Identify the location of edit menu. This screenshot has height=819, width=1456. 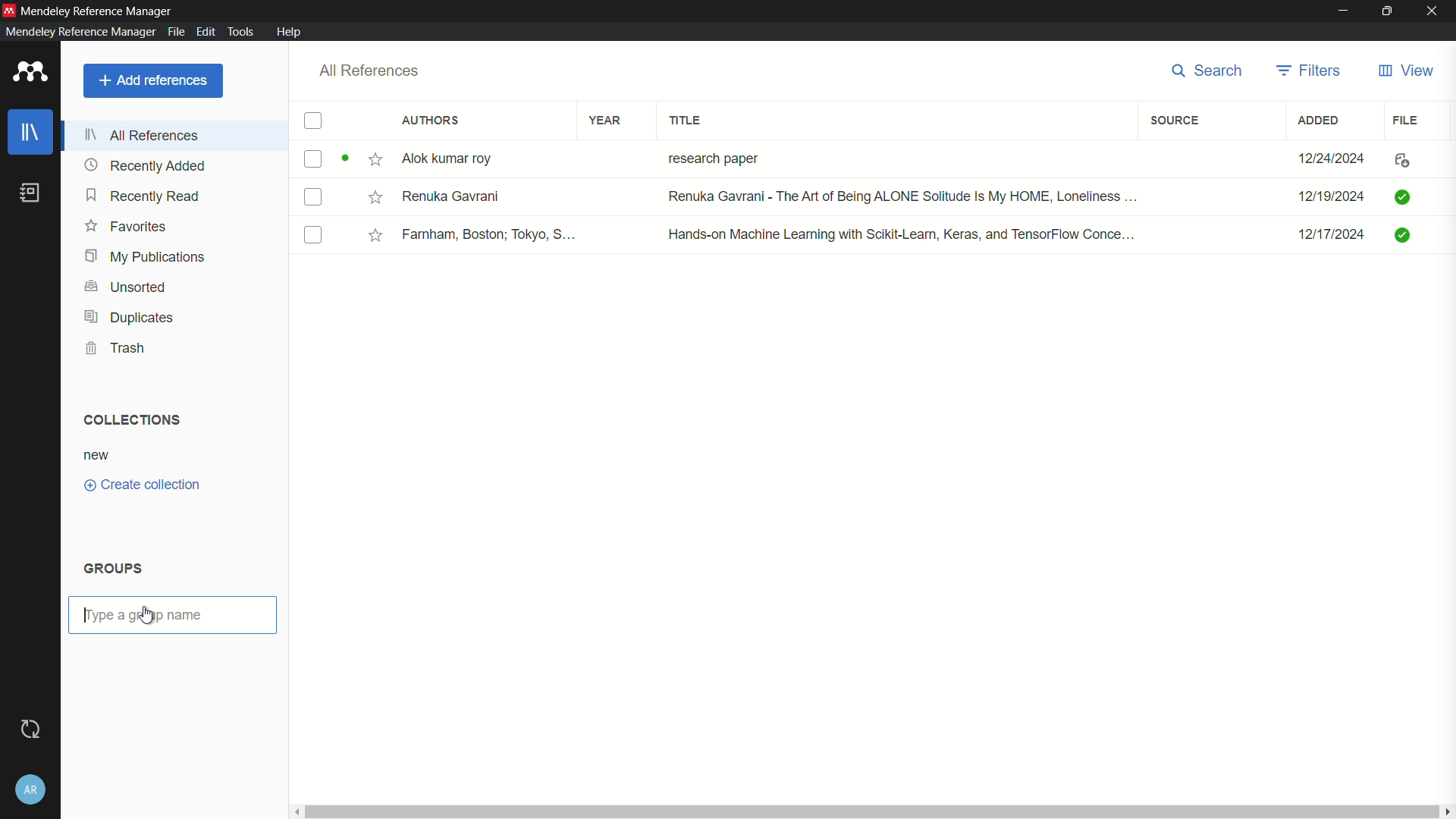
(205, 31).